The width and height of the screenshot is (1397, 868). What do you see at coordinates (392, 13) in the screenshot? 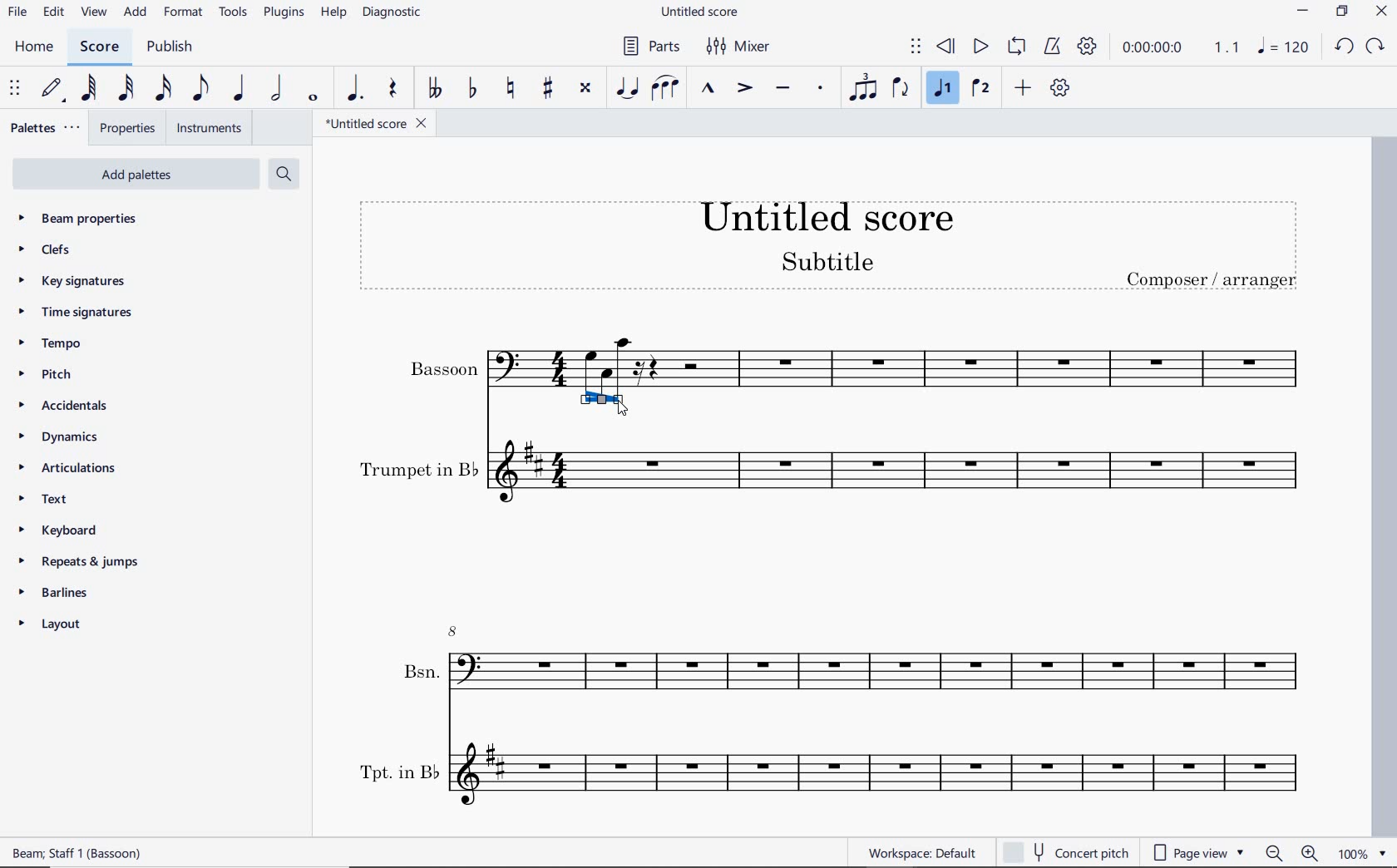
I see `diagnostic` at bounding box center [392, 13].